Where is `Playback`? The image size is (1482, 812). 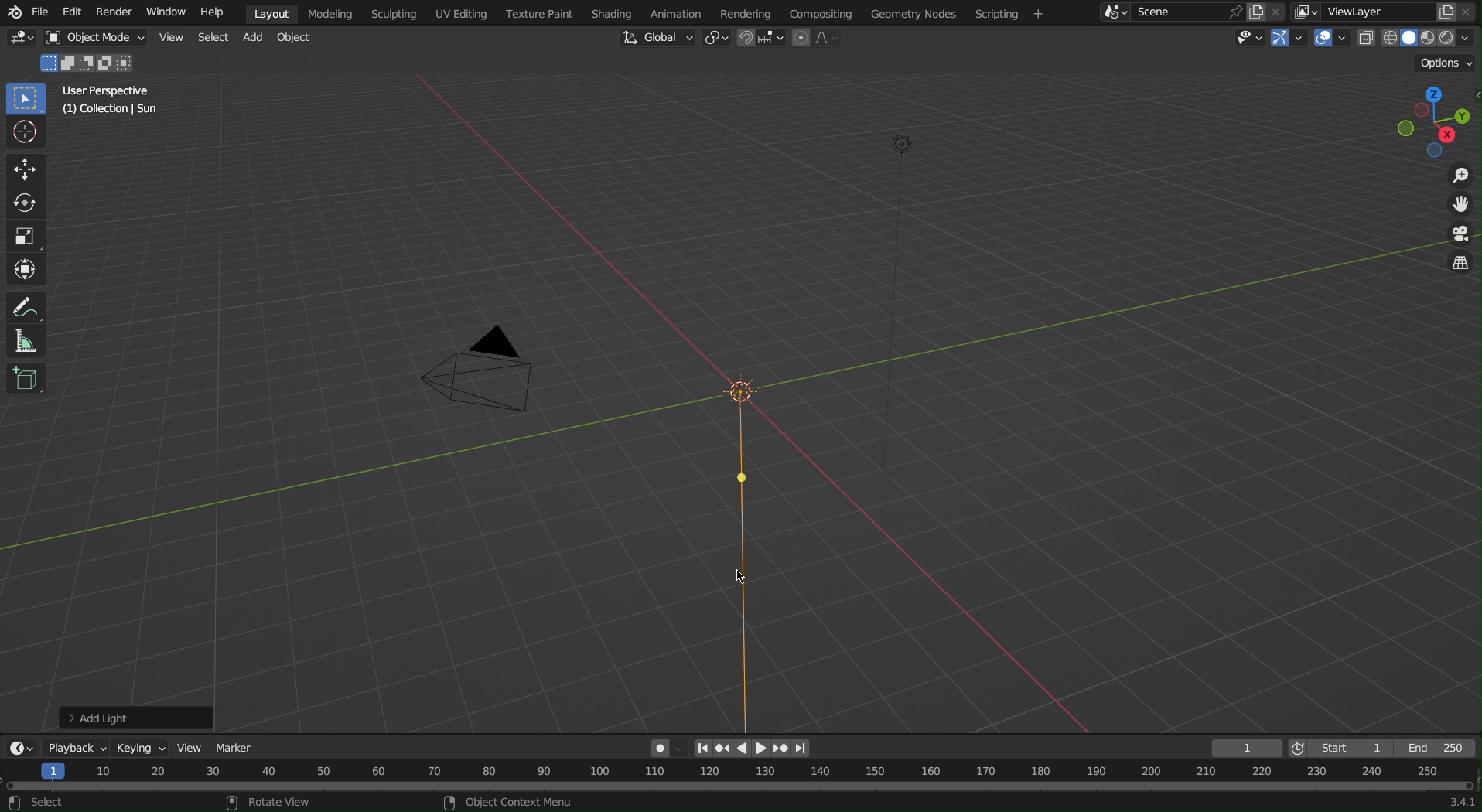
Playback is located at coordinates (77, 746).